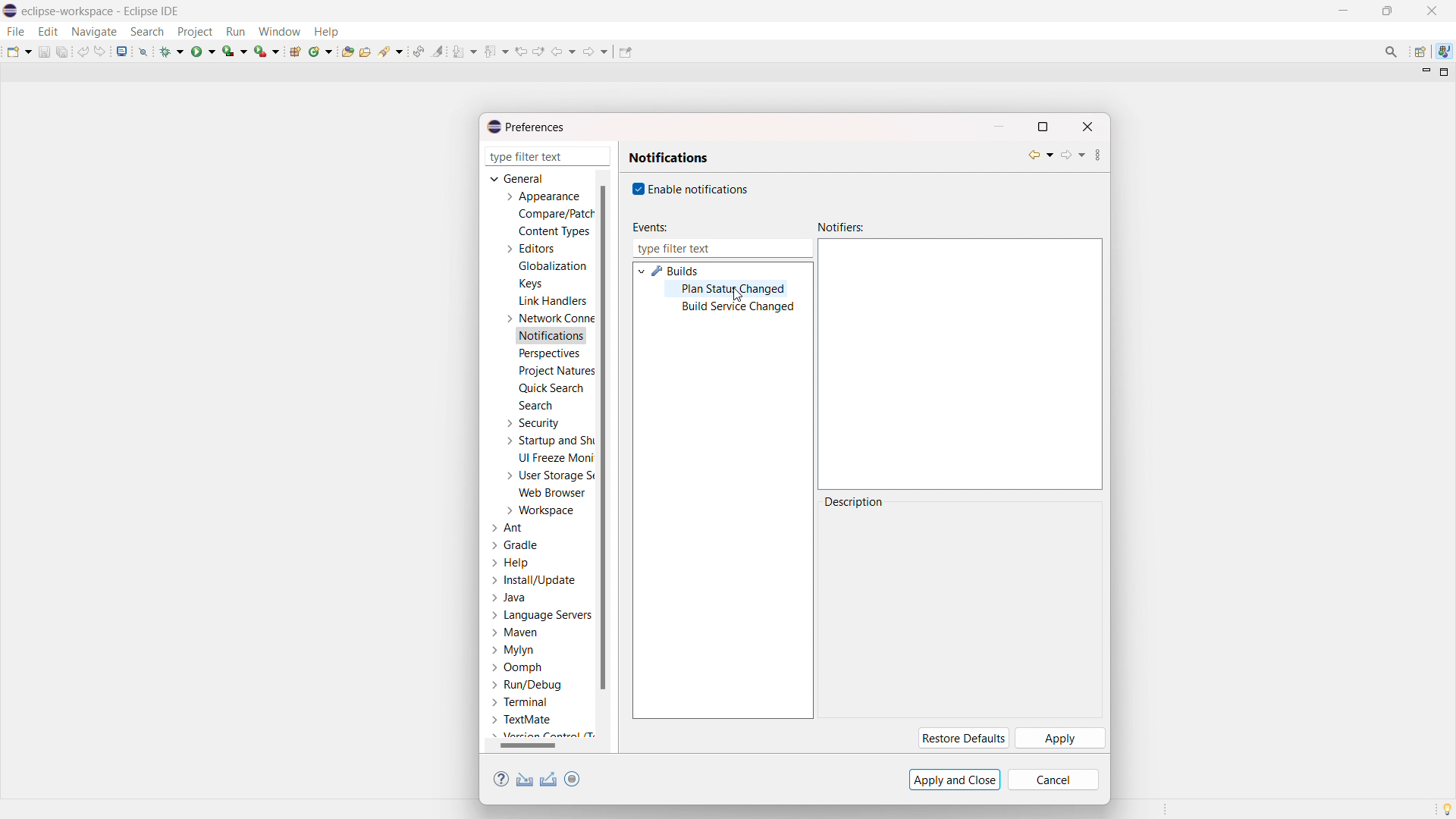 The image size is (1456, 819). Describe the element at coordinates (548, 354) in the screenshot. I see `perspectives` at that location.